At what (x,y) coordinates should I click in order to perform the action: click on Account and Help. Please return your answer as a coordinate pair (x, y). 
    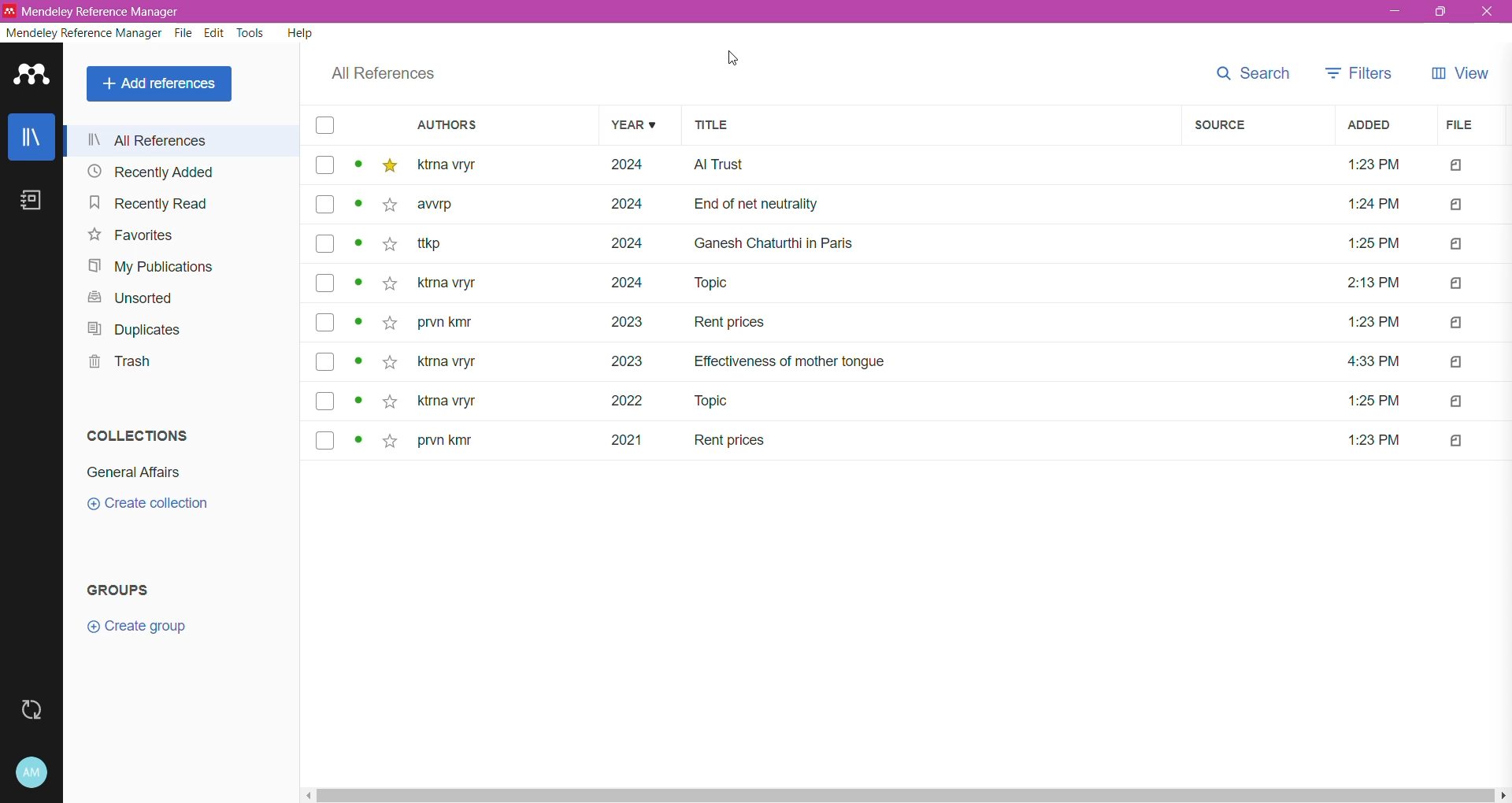
    Looking at the image, I should click on (32, 773).